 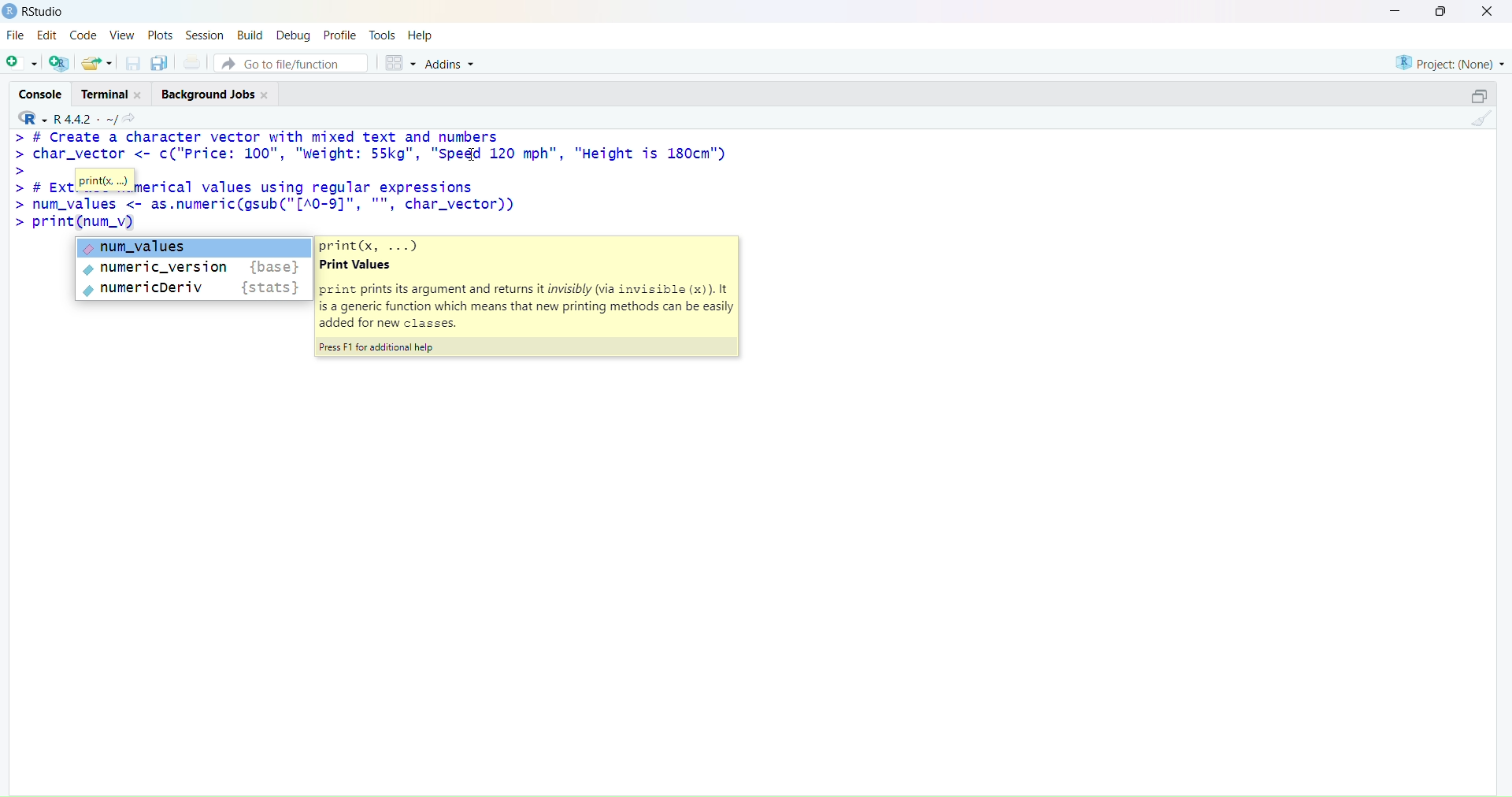 What do you see at coordinates (1440, 11) in the screenshot?
I see `maiximise` at bounding box center [1440, 11].